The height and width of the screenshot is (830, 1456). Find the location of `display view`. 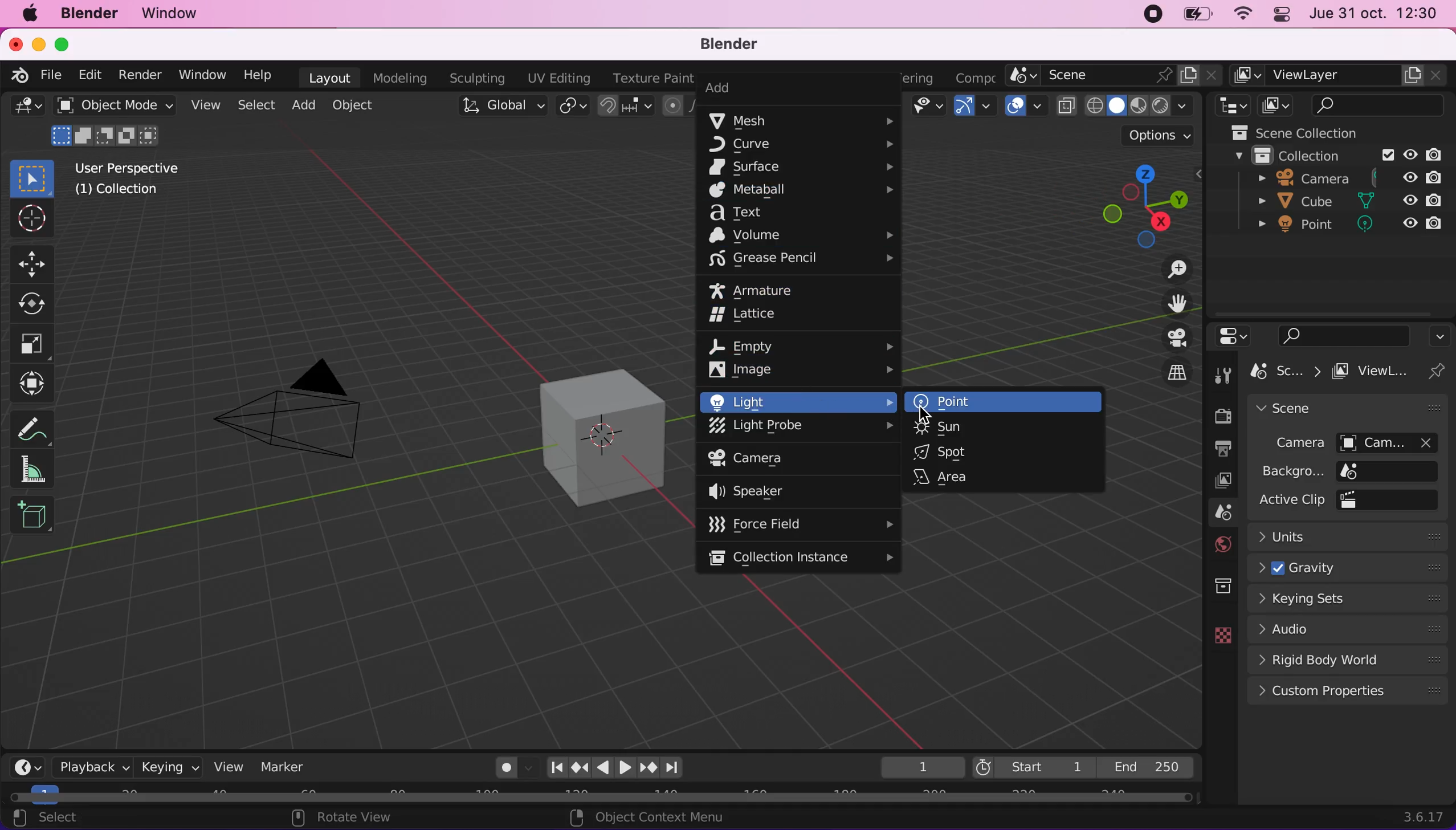

display view is located at coordinates (1277, 105).